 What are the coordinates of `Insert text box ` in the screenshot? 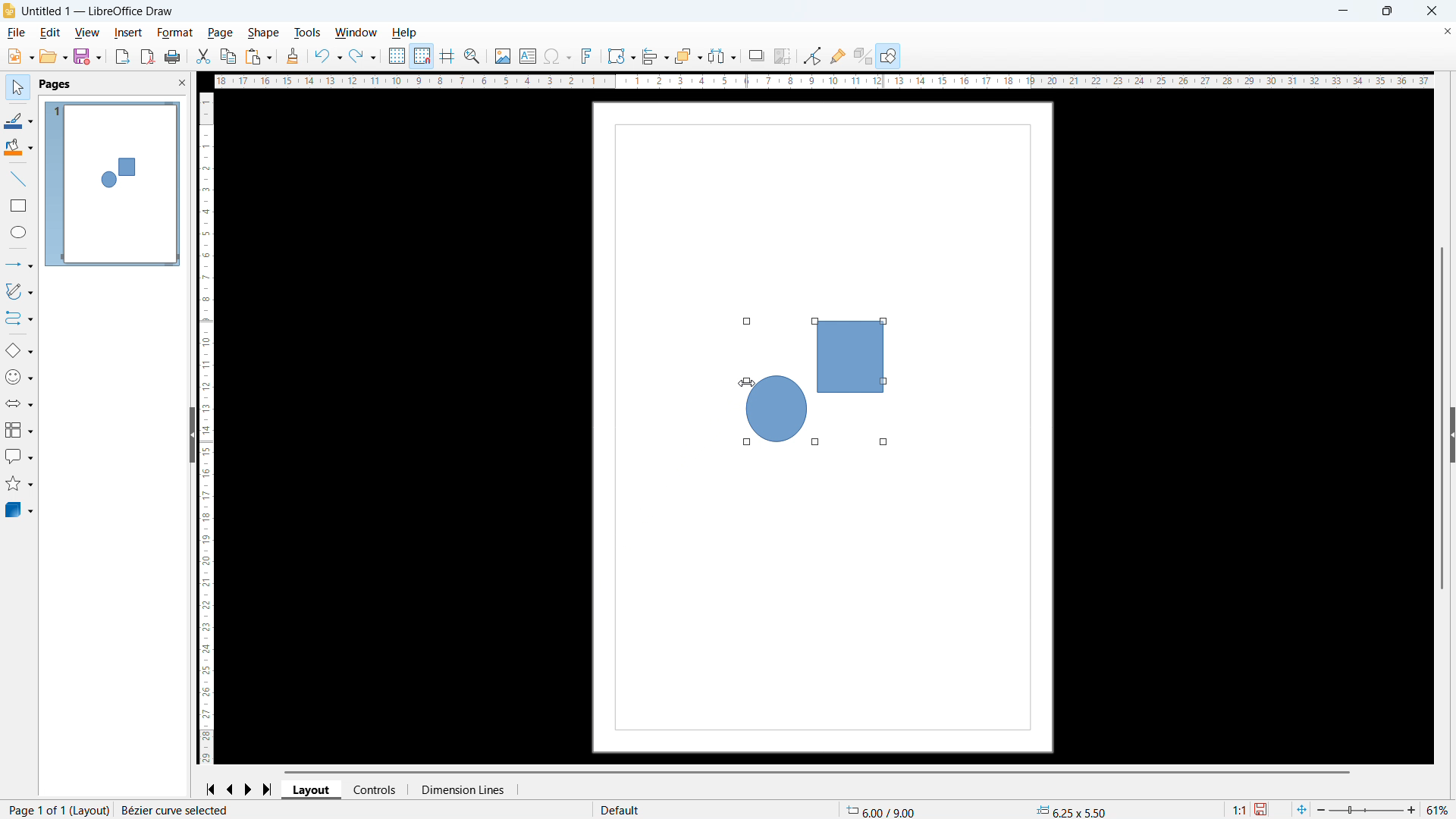 It's located at (528, 56).